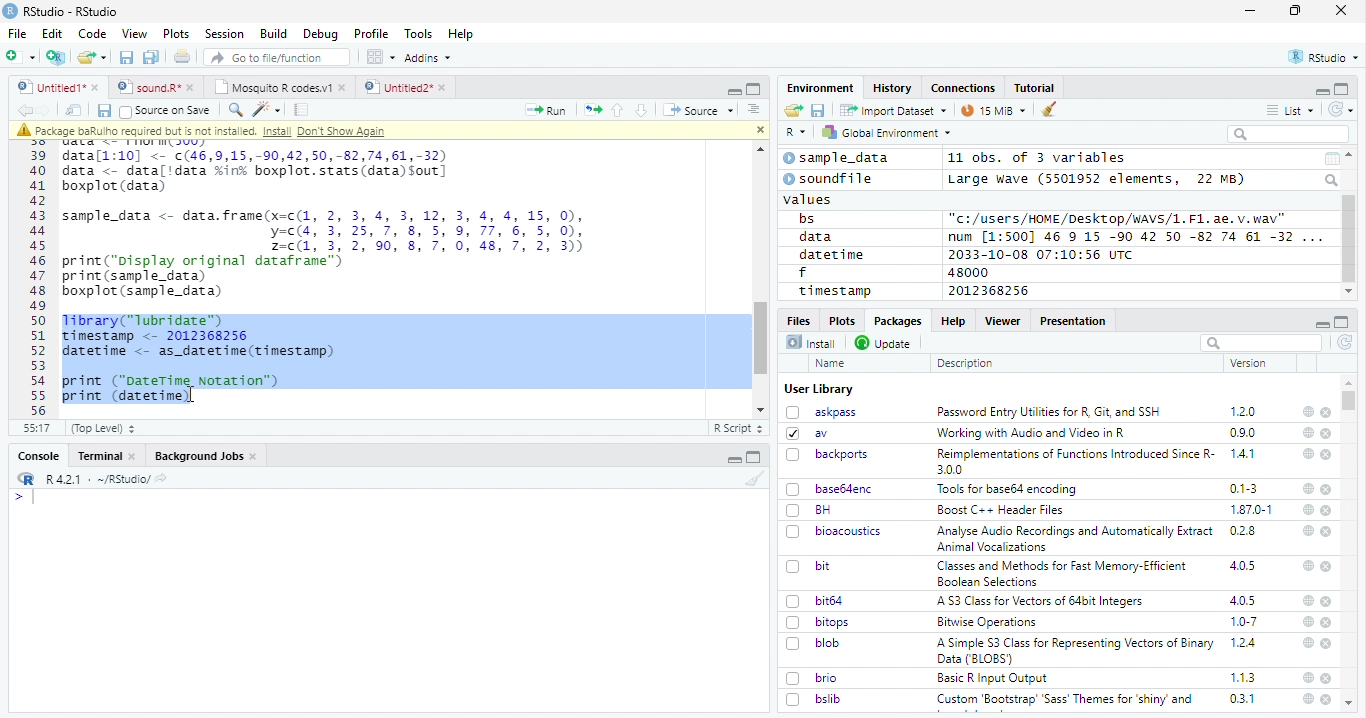 The height and width of the screenshot is (718, 1366). I want to click on Custom ‘Bootstrap’ ‘Sass’ Themes for ‘shiny’ and, so click(1065, 702).